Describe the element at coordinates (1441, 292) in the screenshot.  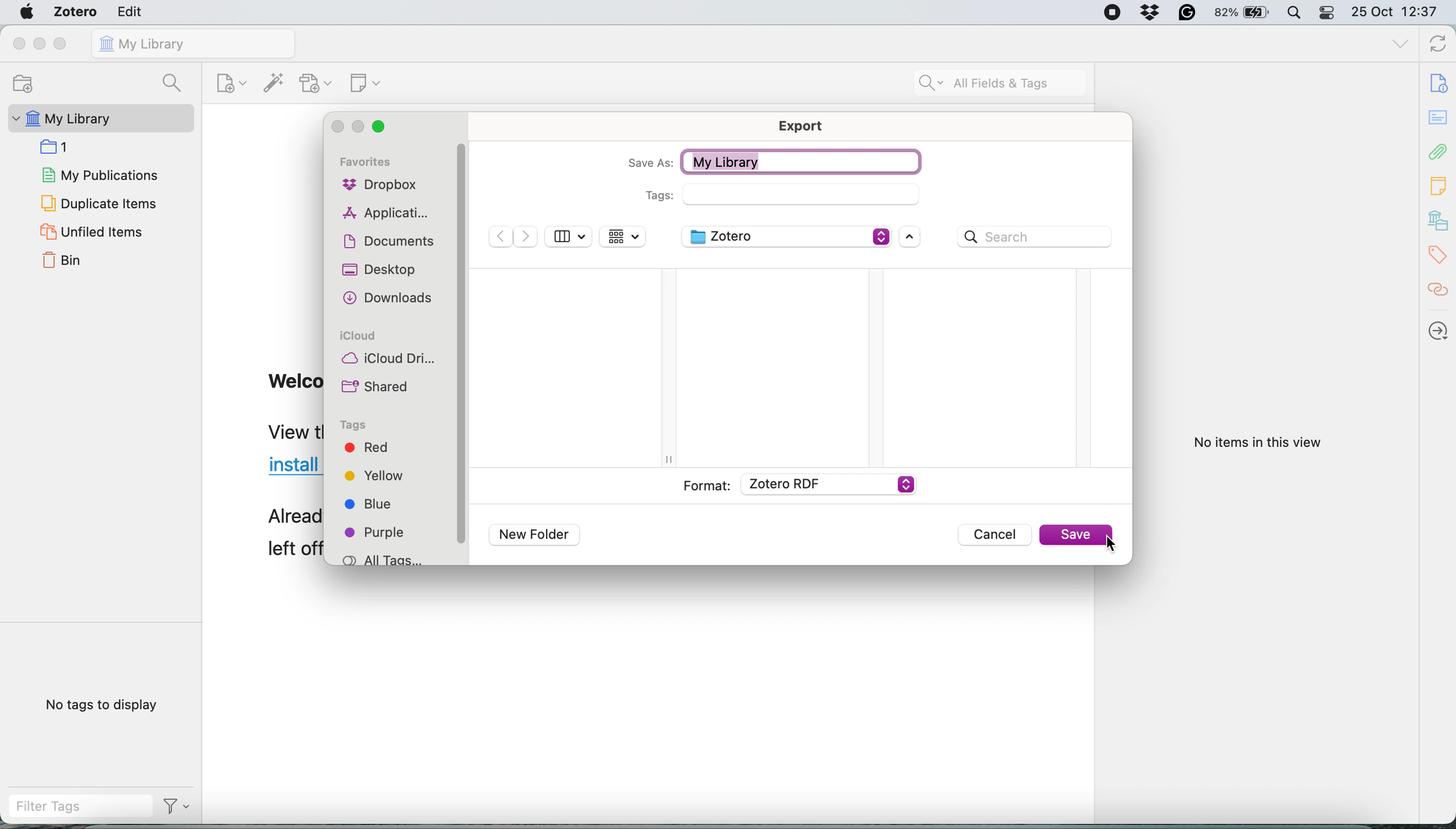
I see `citations` at that location.